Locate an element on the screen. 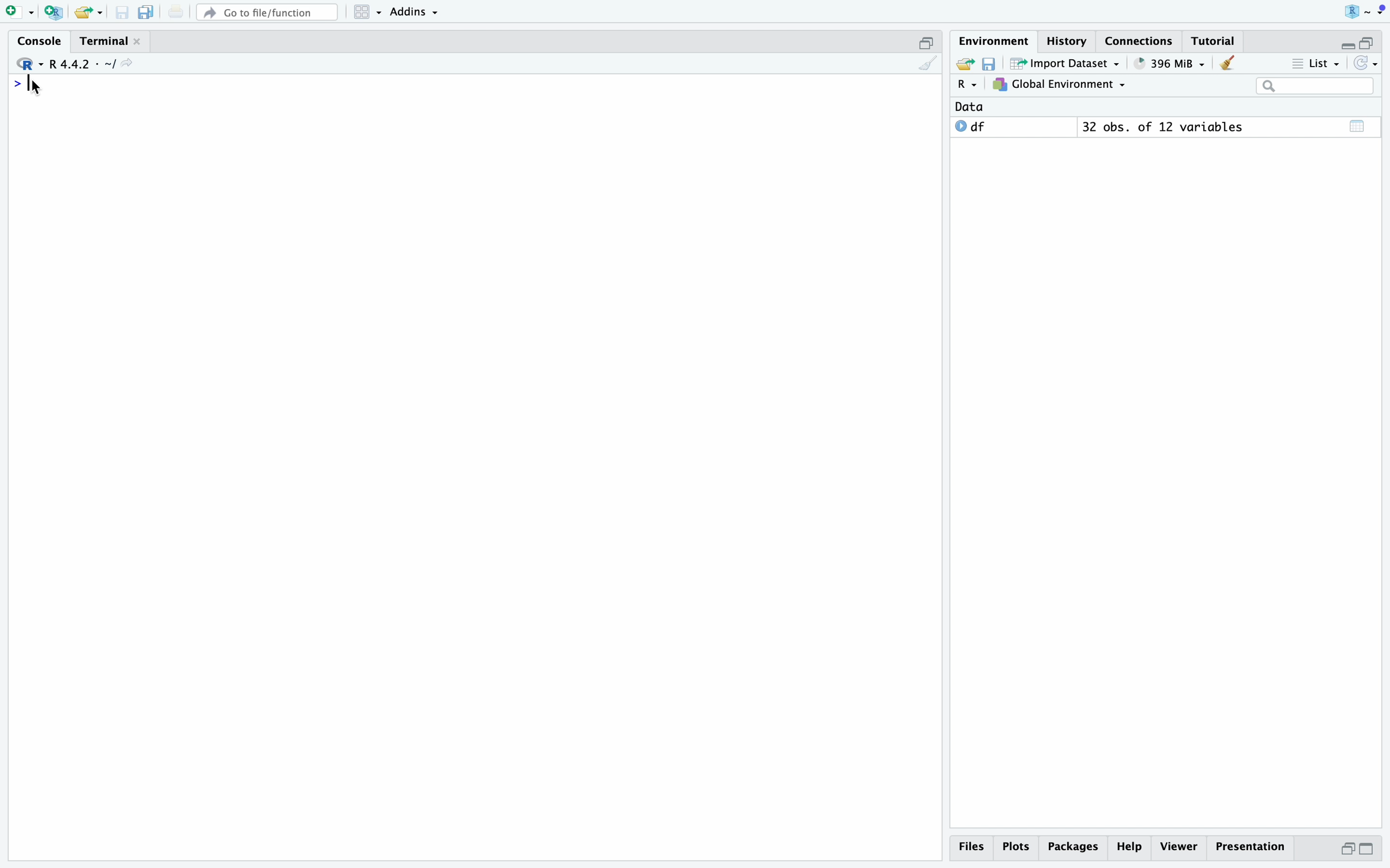  searchbox is located at coordinates (1316, 86).